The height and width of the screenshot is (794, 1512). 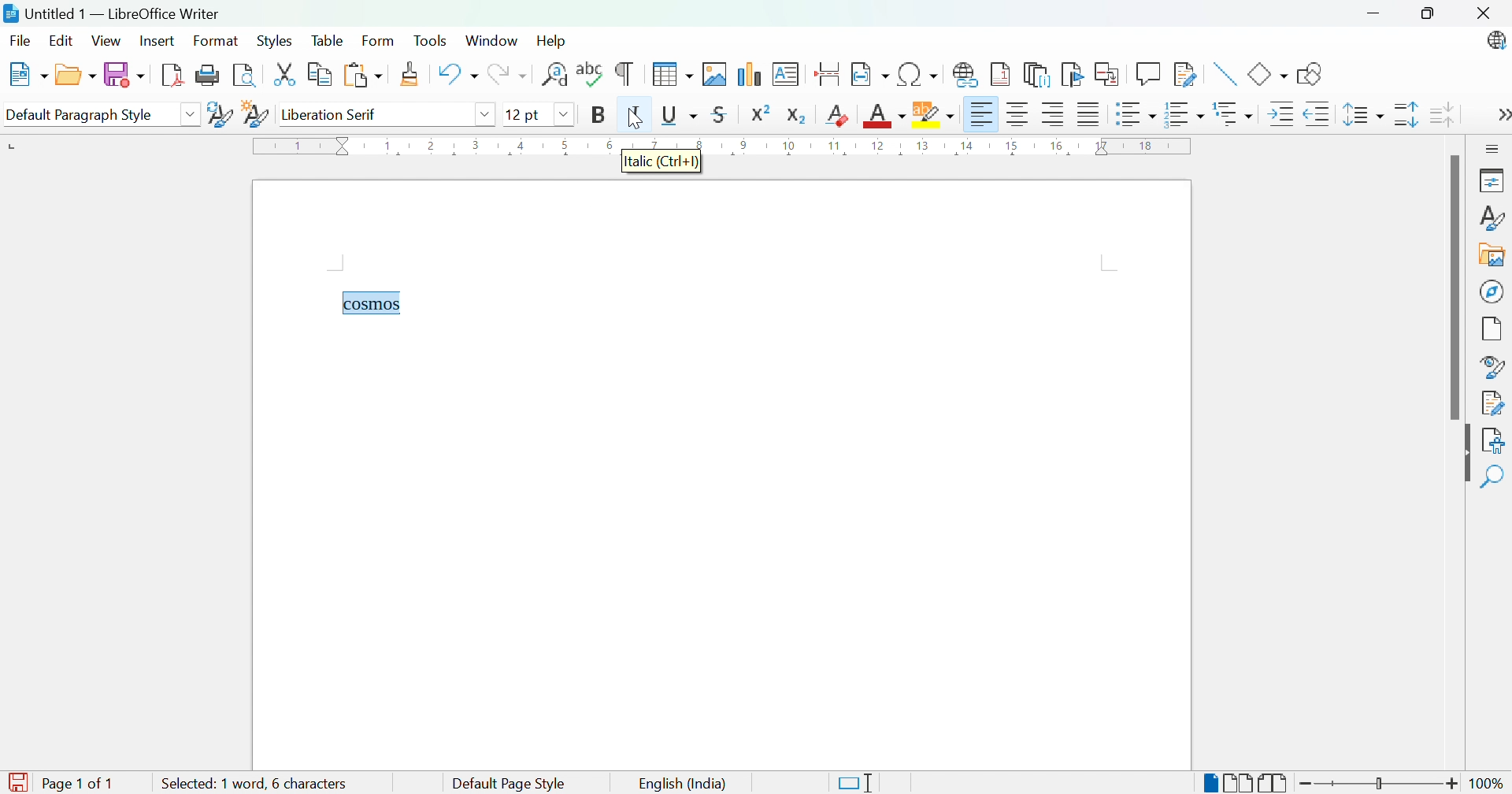 What do you see at coordinates (159, 40) in the screenshot?
I see `Insert` at bounding box center [159, 40].